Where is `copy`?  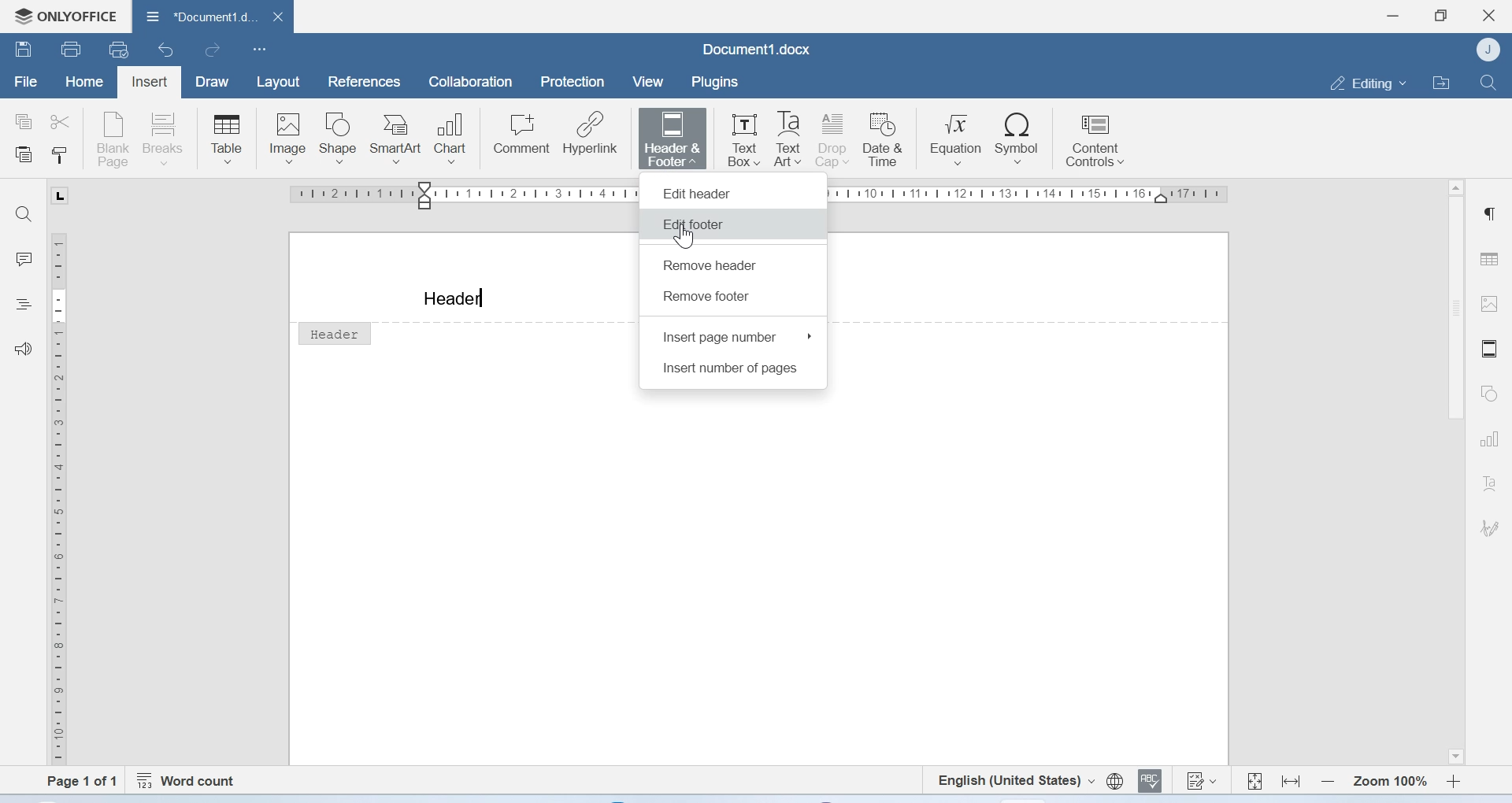 copy is located at coordinates (25, 120).